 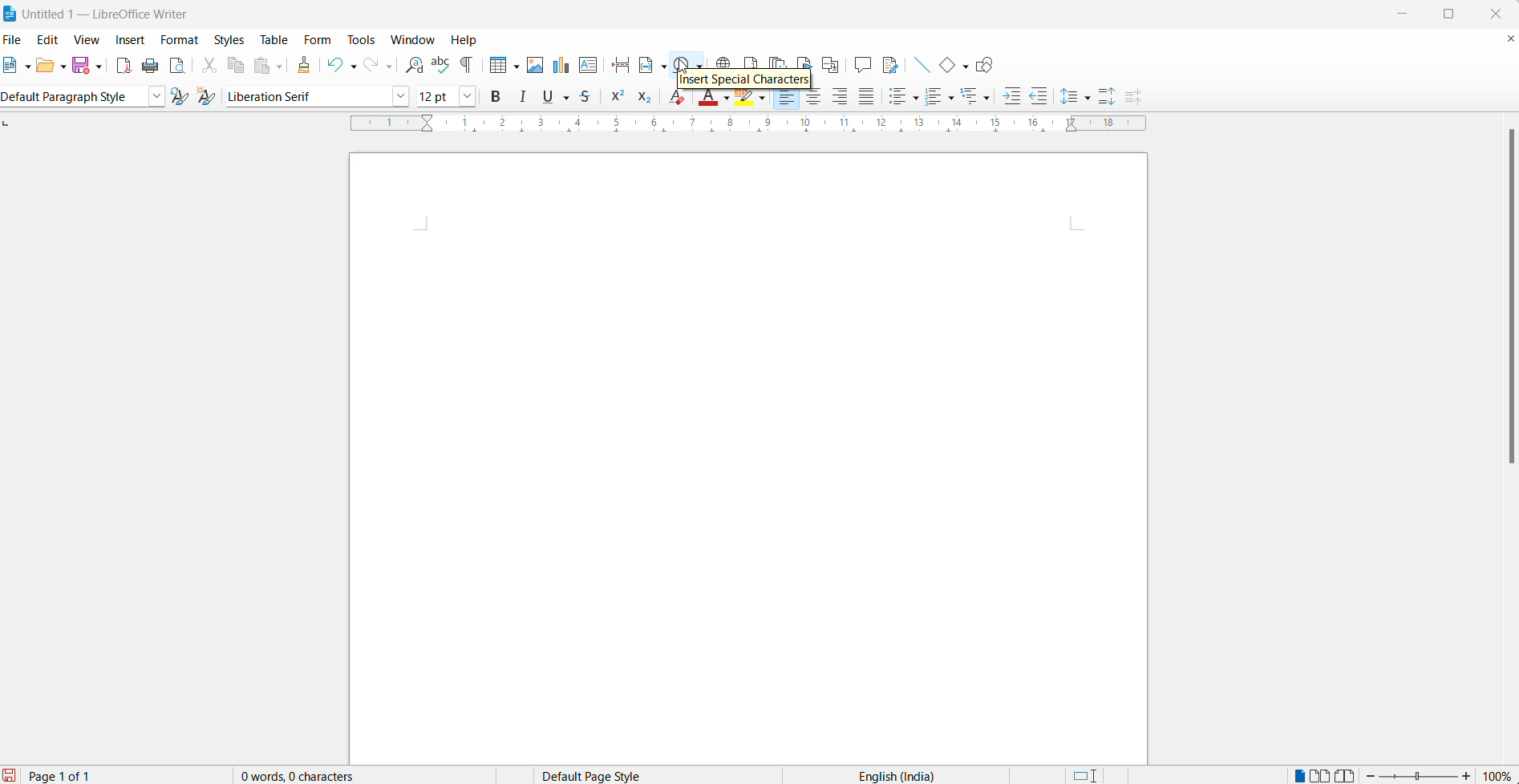 What do you see at coordinates (706, 99) in the screenshot?
I see `font color` at bounding box center [706, 99].